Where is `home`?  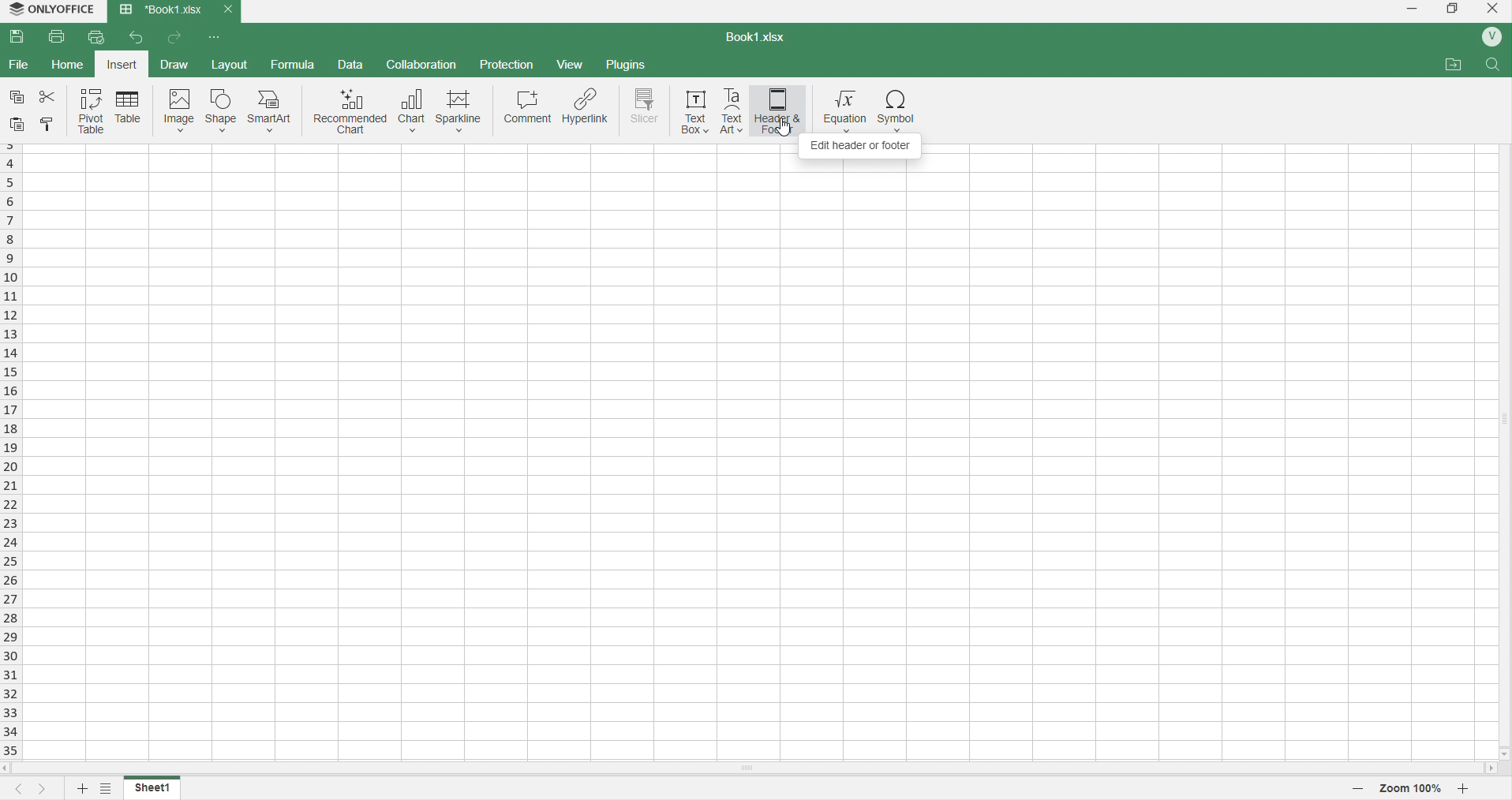
home is located at coordinates (68, 64).